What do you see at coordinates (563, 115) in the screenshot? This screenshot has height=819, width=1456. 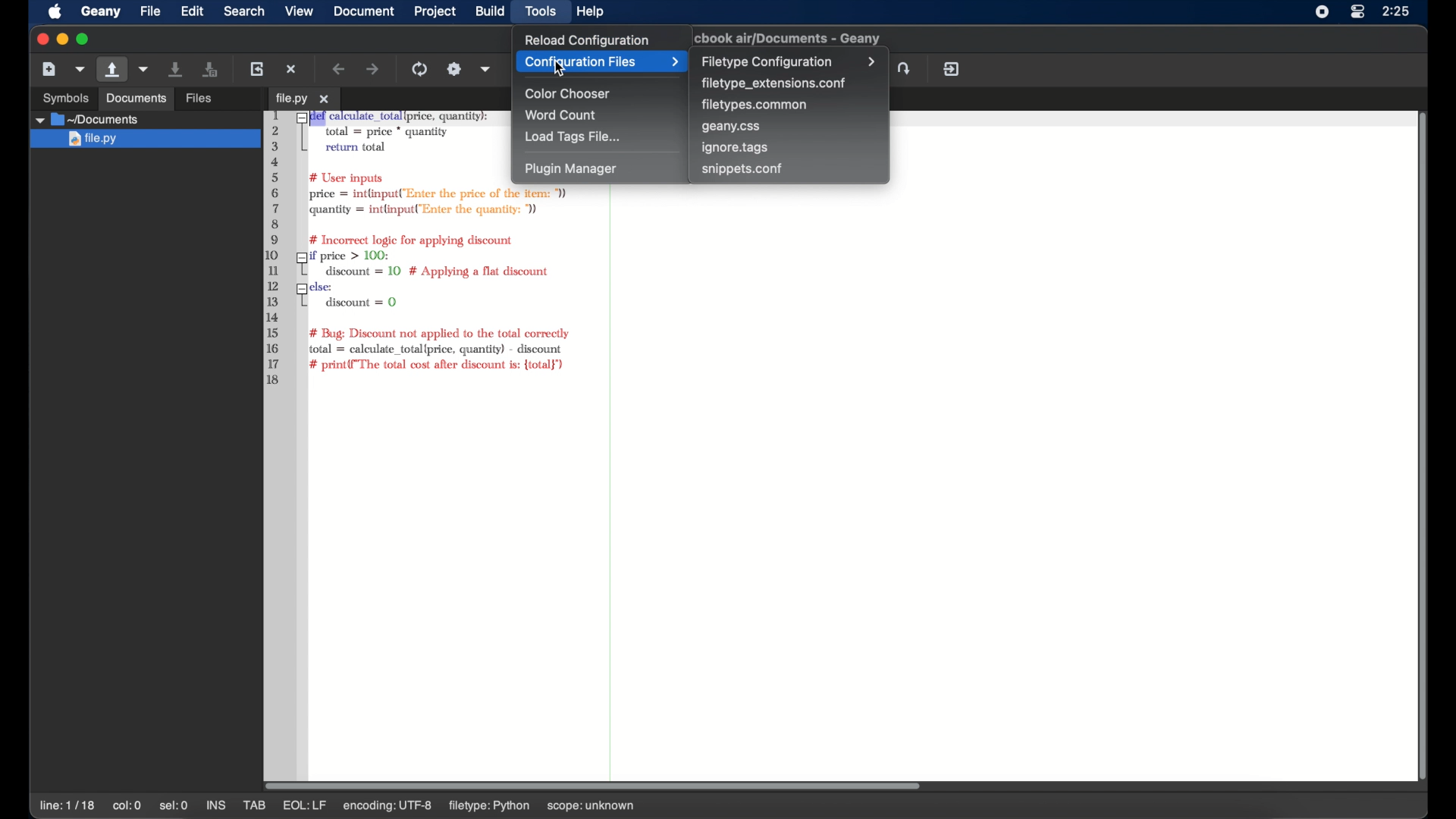 I see `word count` at bounding box center [563, 115].